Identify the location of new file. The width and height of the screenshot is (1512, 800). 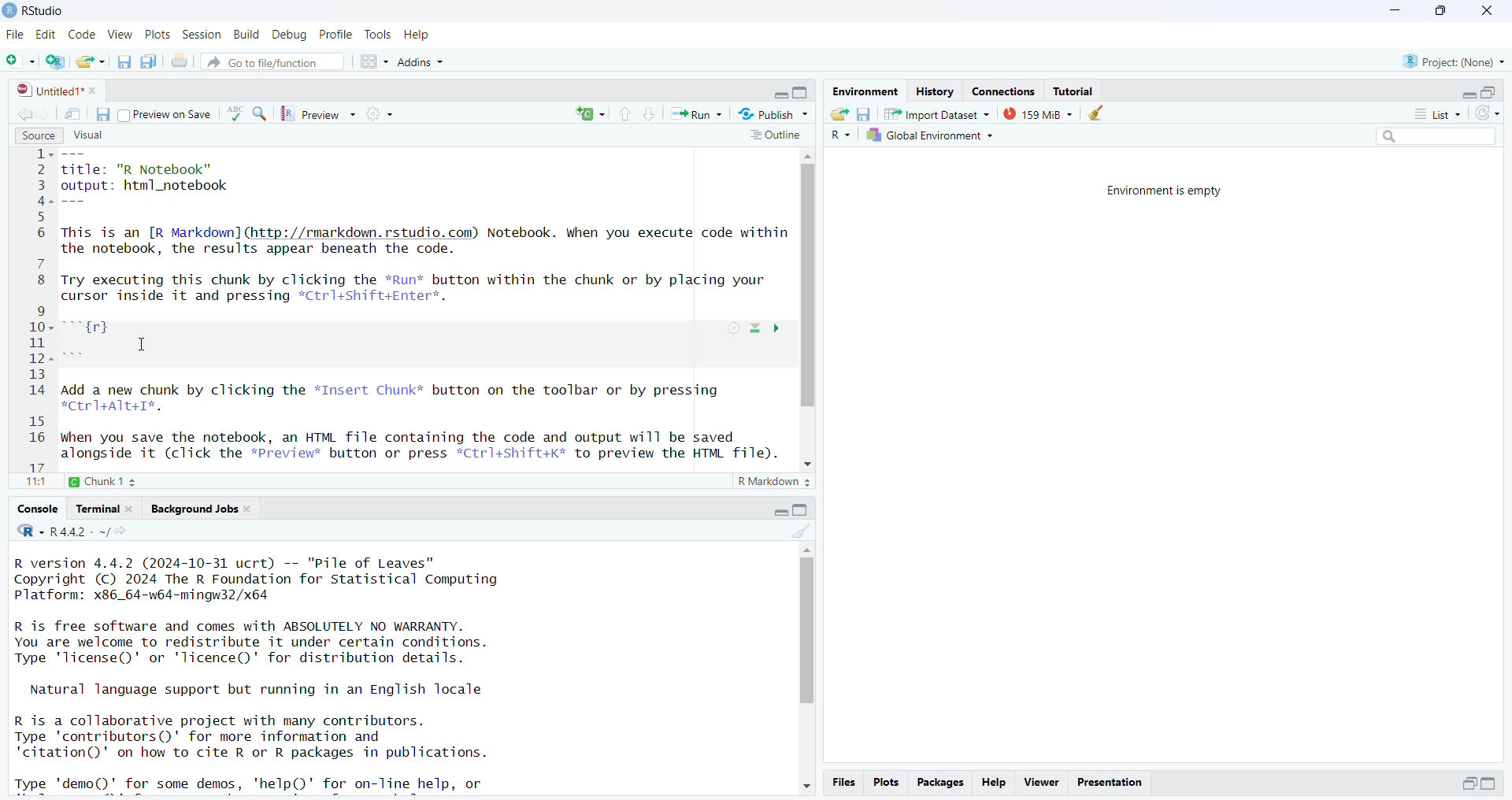
(20, 61).